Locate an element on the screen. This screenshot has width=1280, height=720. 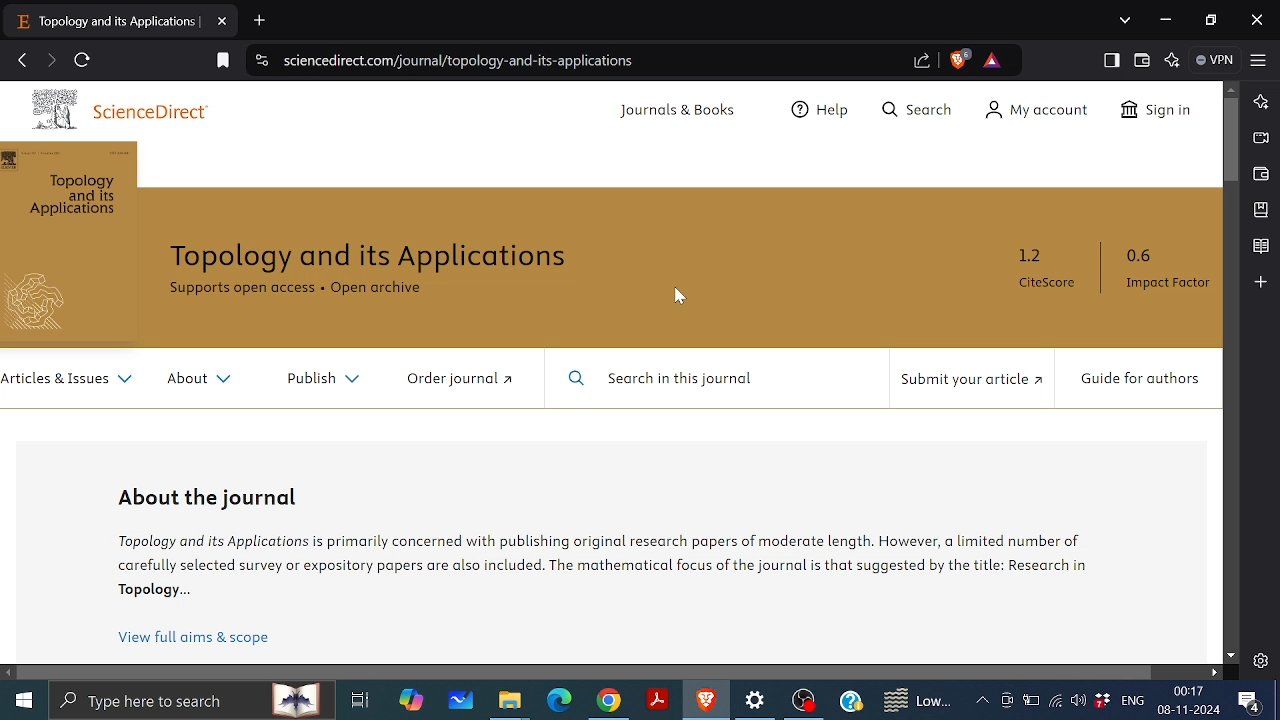
Brave shield is located at coordinates (960, 61).